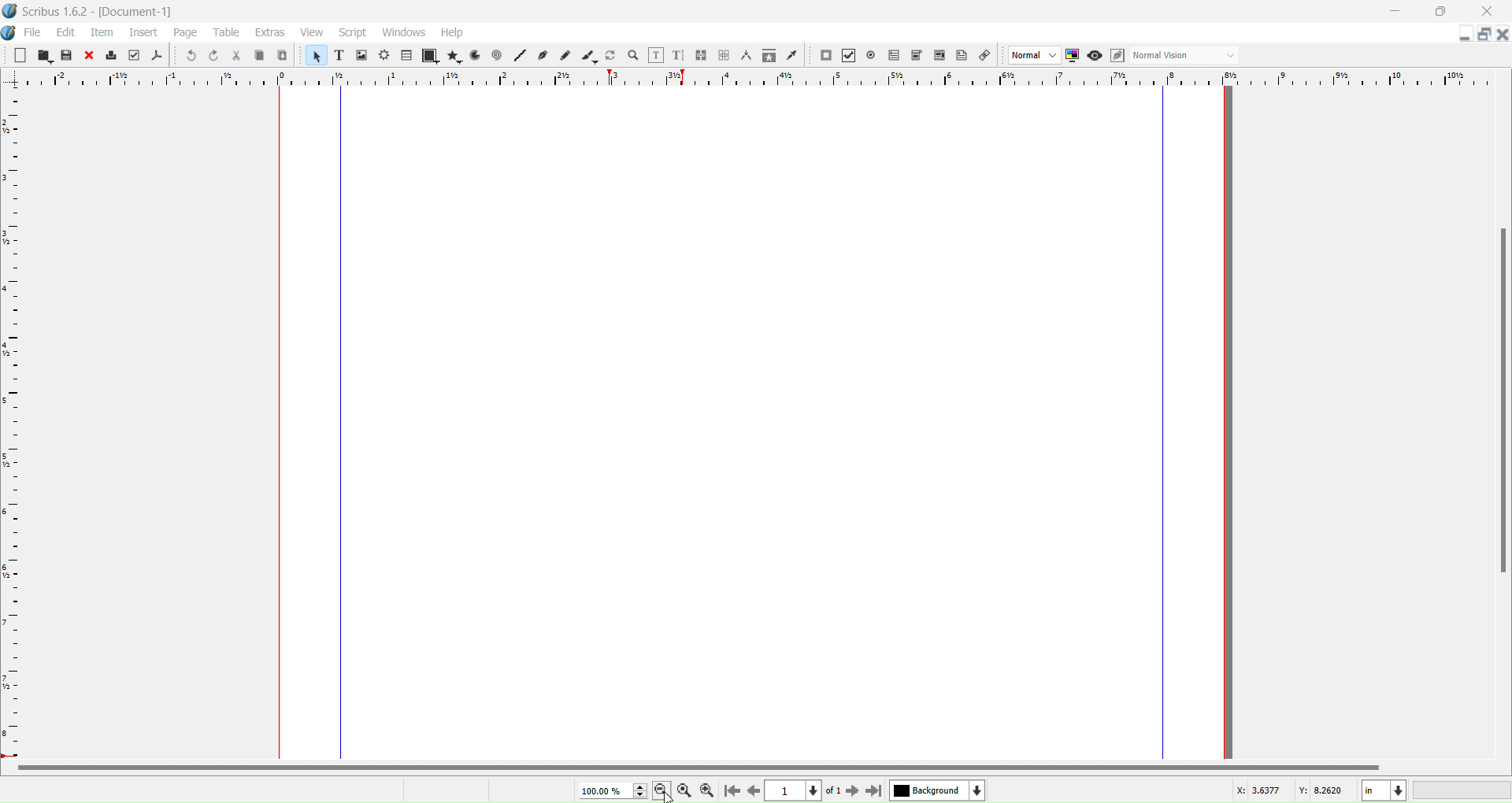 The width and height of the screenshot is (1512, 803). What do you see at coordinates (185, 32) in the screenshot?
I see `Page` at bounding box center [185, 32].